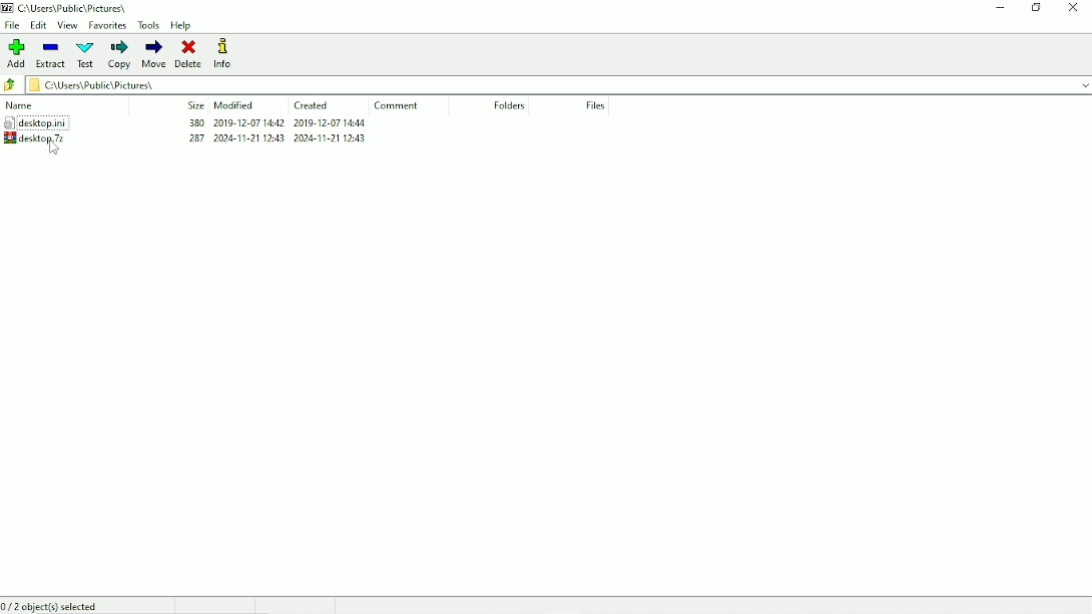 This screenshot has width=1092, height=614. Describe the element at coordinates (330, 122) in the screenshot. I see `2019-12-07-14.44` at that location.